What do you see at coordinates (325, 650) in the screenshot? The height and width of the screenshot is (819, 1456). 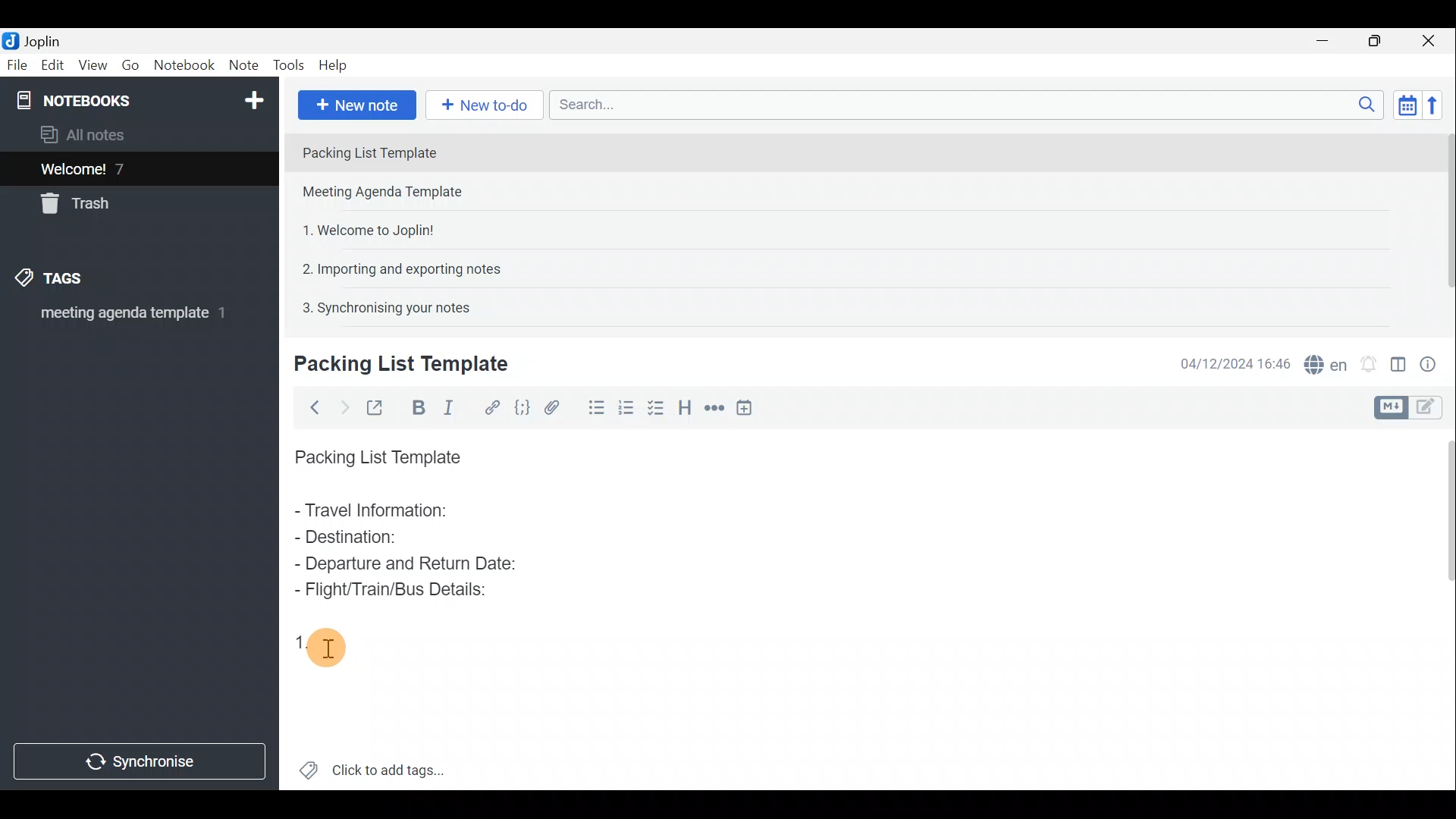 I see `Cursor` at bounding box center [325, 650].